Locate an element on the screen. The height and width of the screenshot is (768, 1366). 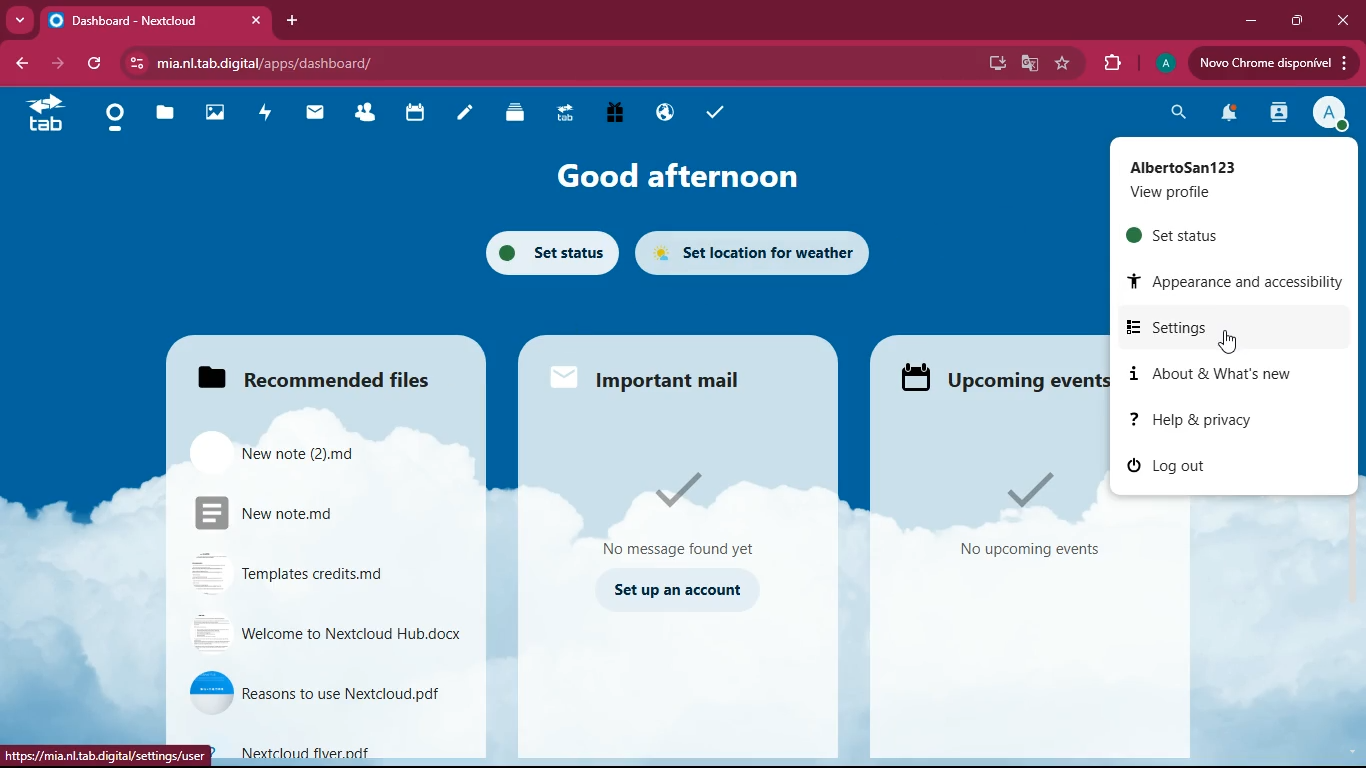
favourite is located at coordinates (1065, 64).